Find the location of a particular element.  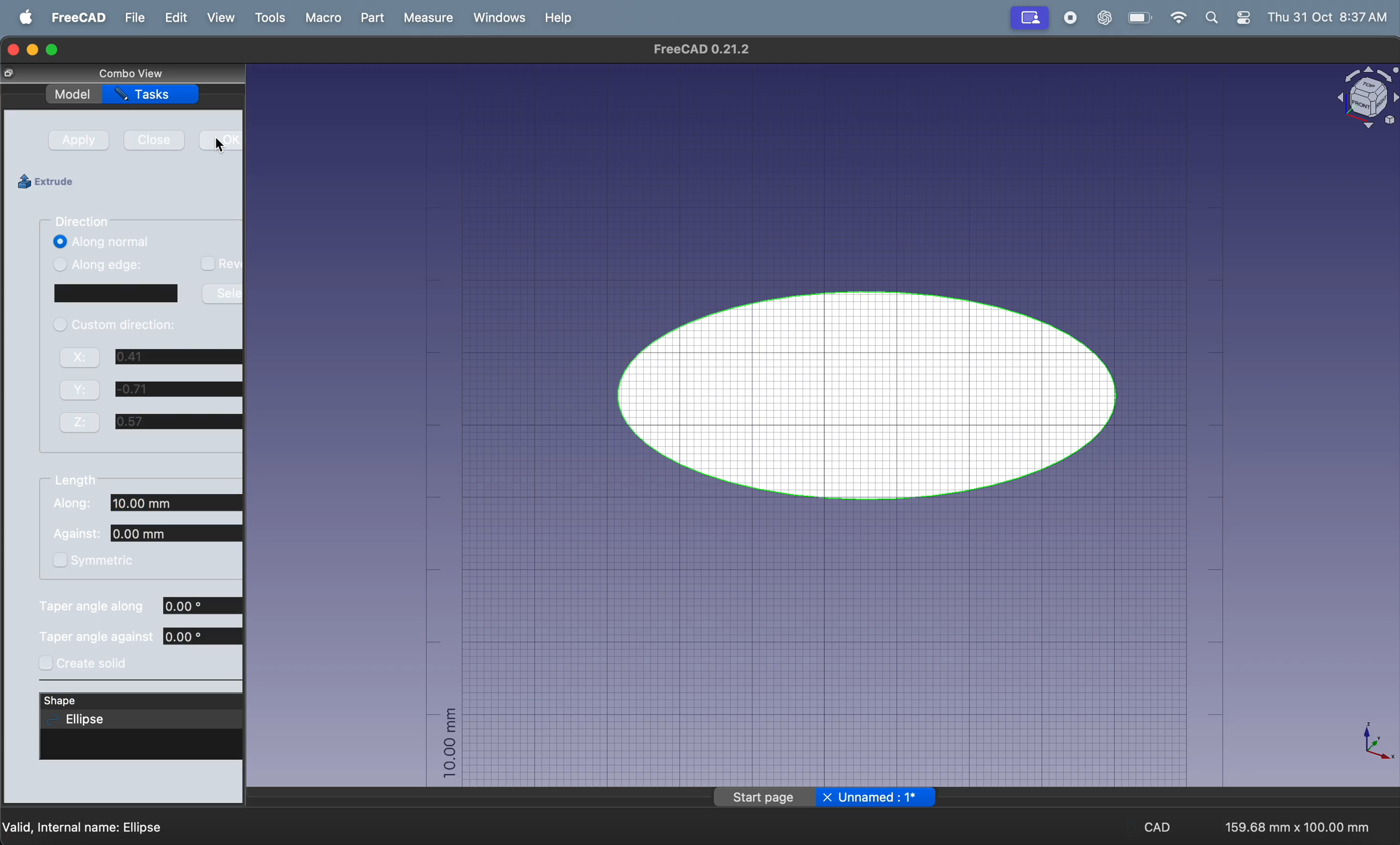

symetric is located at coordinates (94, 559).